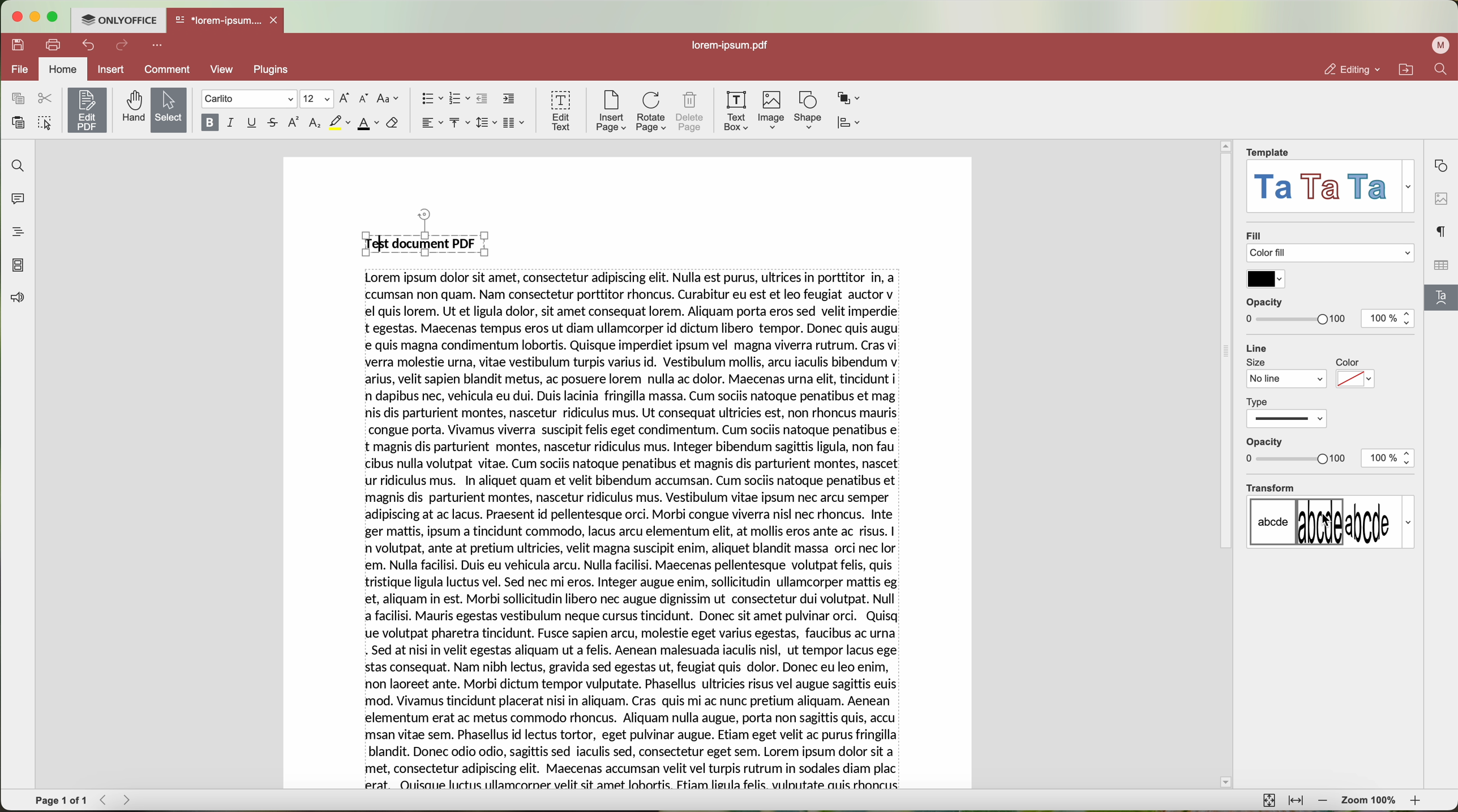  What do you see at coordinates (1296, 311) in the screenshot?
I see `opacity` at bounding box center [1296, 311].